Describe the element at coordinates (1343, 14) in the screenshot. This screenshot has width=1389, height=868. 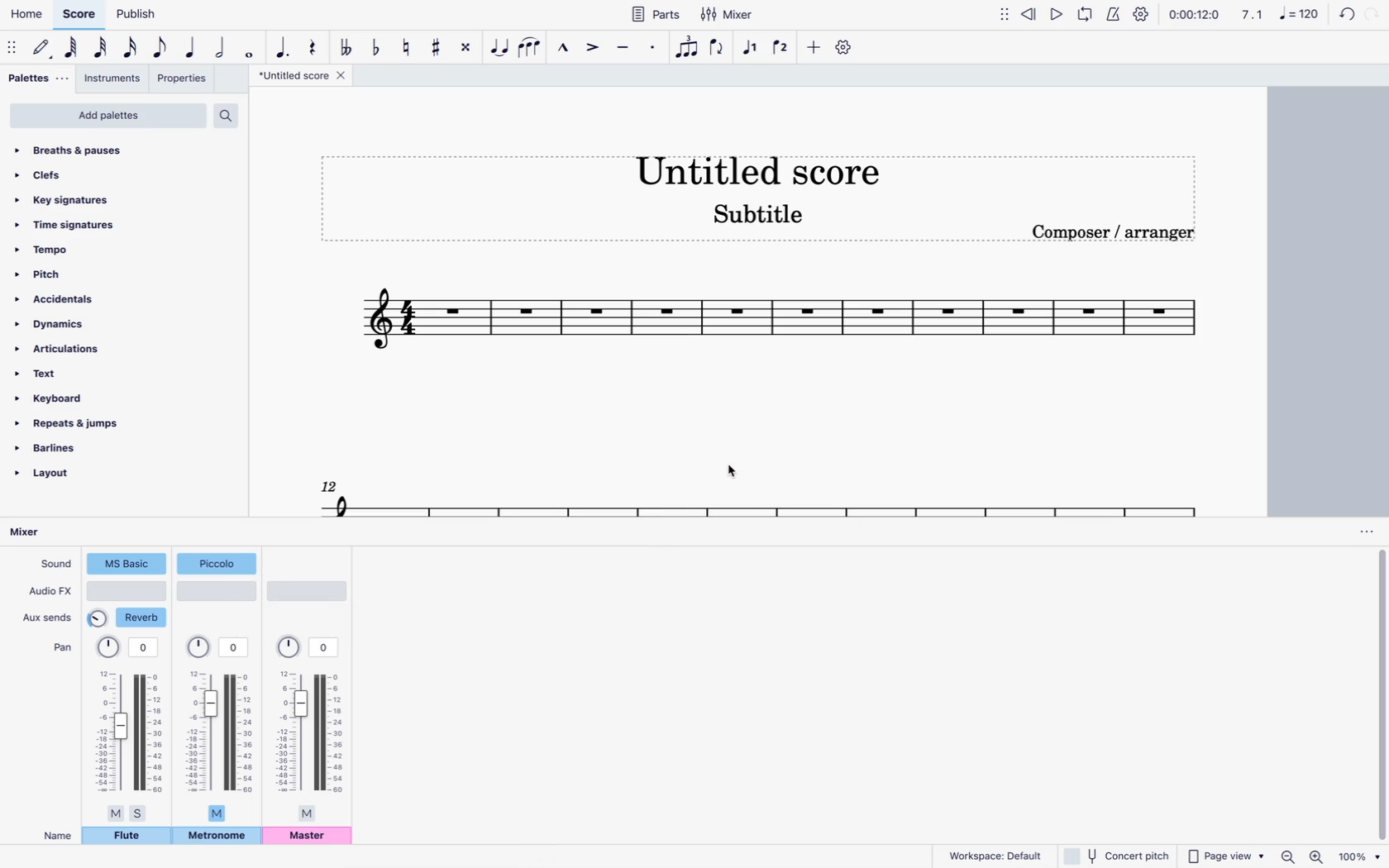
I see `back` at that location.